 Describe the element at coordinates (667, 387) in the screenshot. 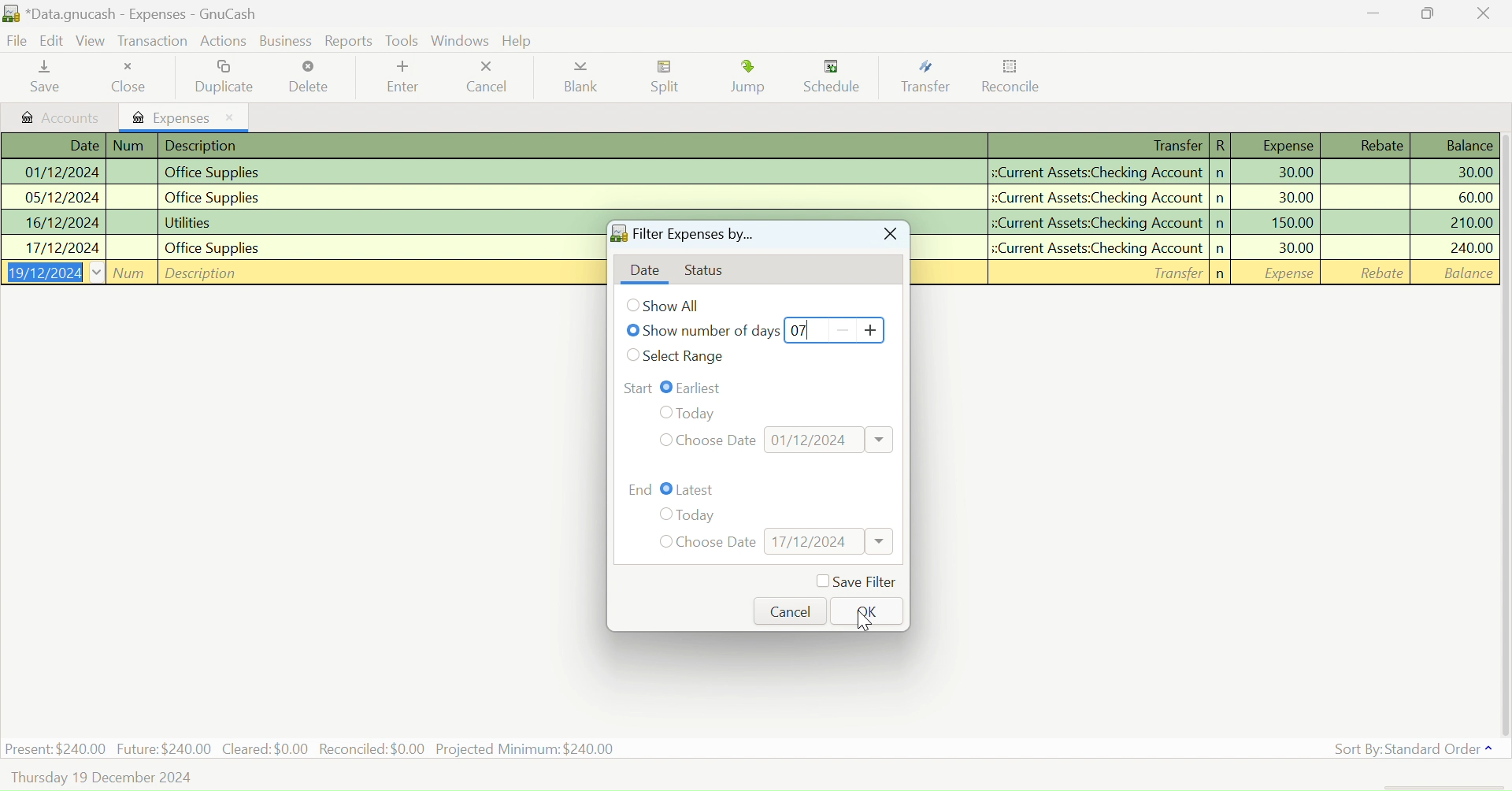

I see `Checkbox` at that location.